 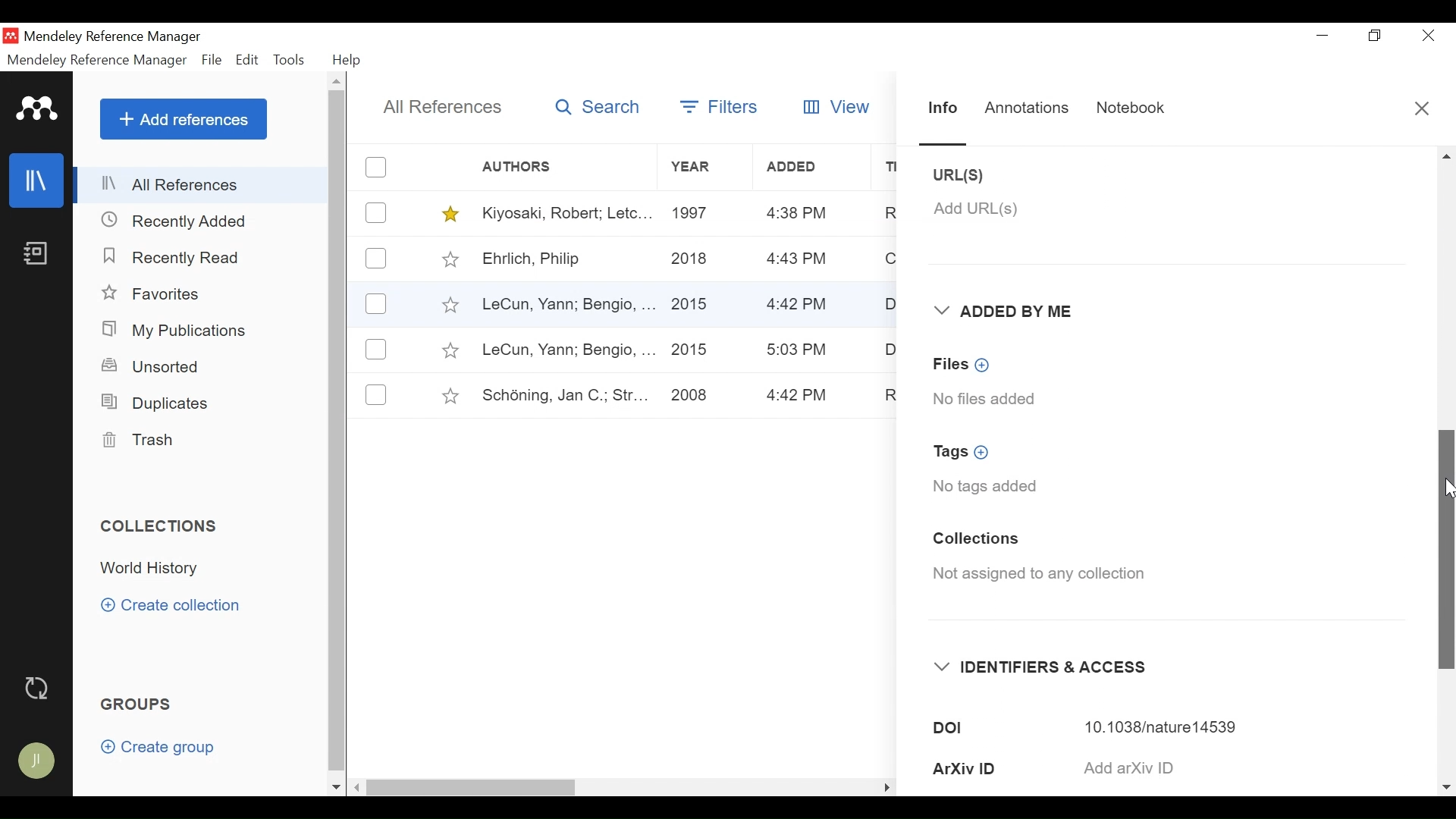 What do you see at coordinates (358, 788) in the screenshot?
I see `Scroll Right` at bounding box center [358, 788].